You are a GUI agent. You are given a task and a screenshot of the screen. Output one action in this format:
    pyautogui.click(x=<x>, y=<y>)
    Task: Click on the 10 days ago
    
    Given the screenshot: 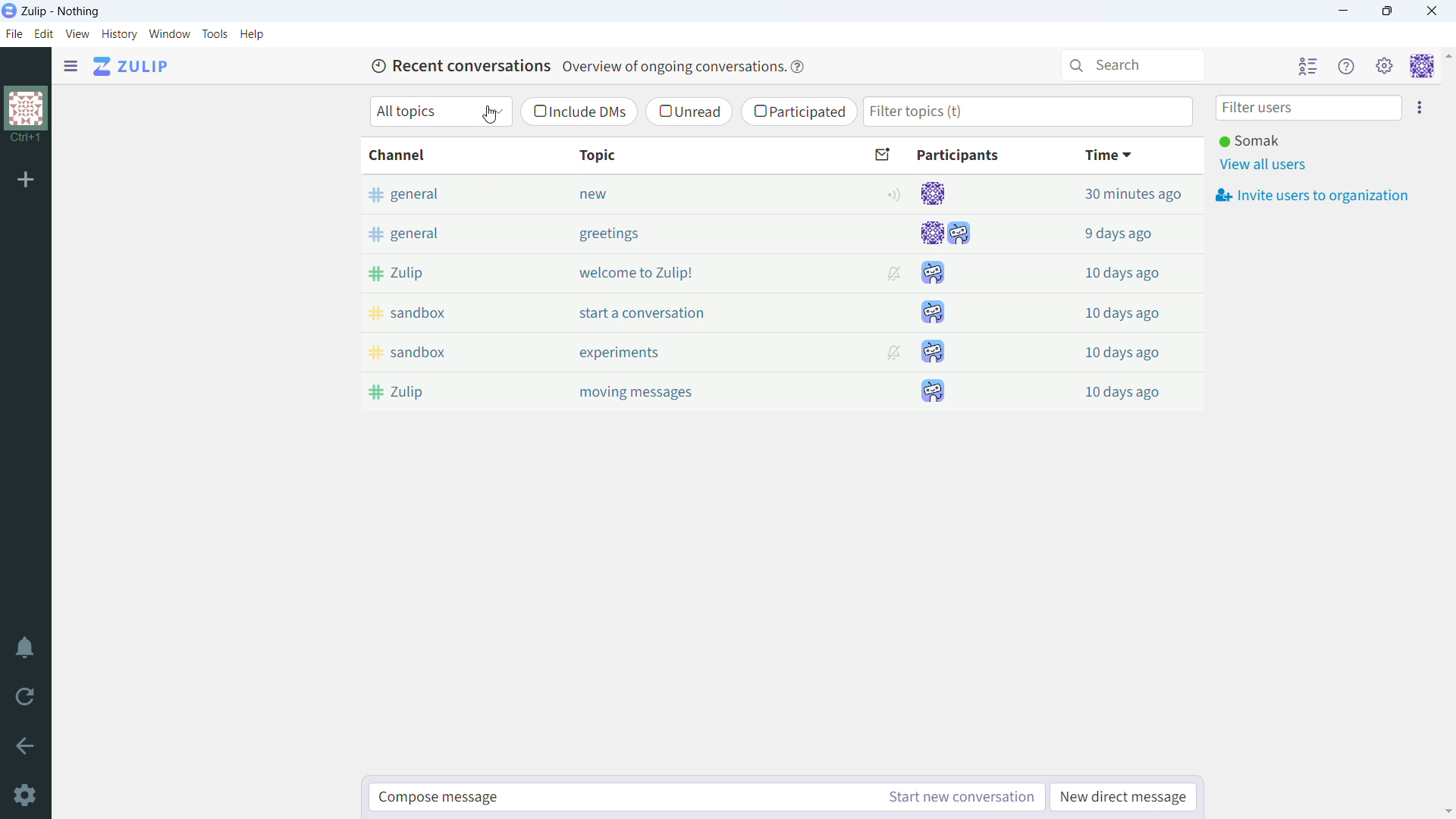 What is the action you would take?
    pyautogui.click(x=1123, y=273)
    